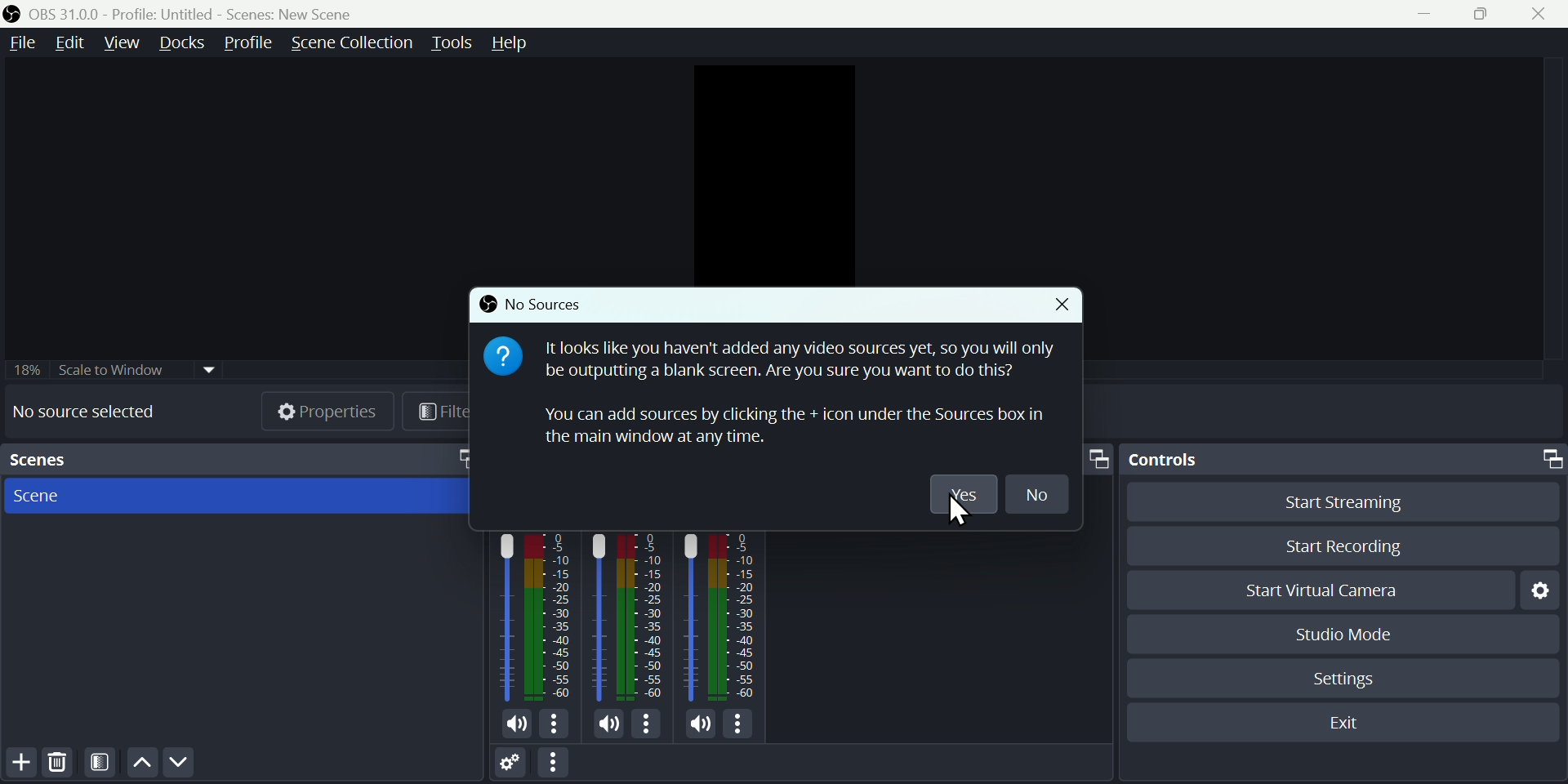  What do you see at coordinates (954, 499) in the screenshot?
I see `yes` at bounding box center [954, 499].